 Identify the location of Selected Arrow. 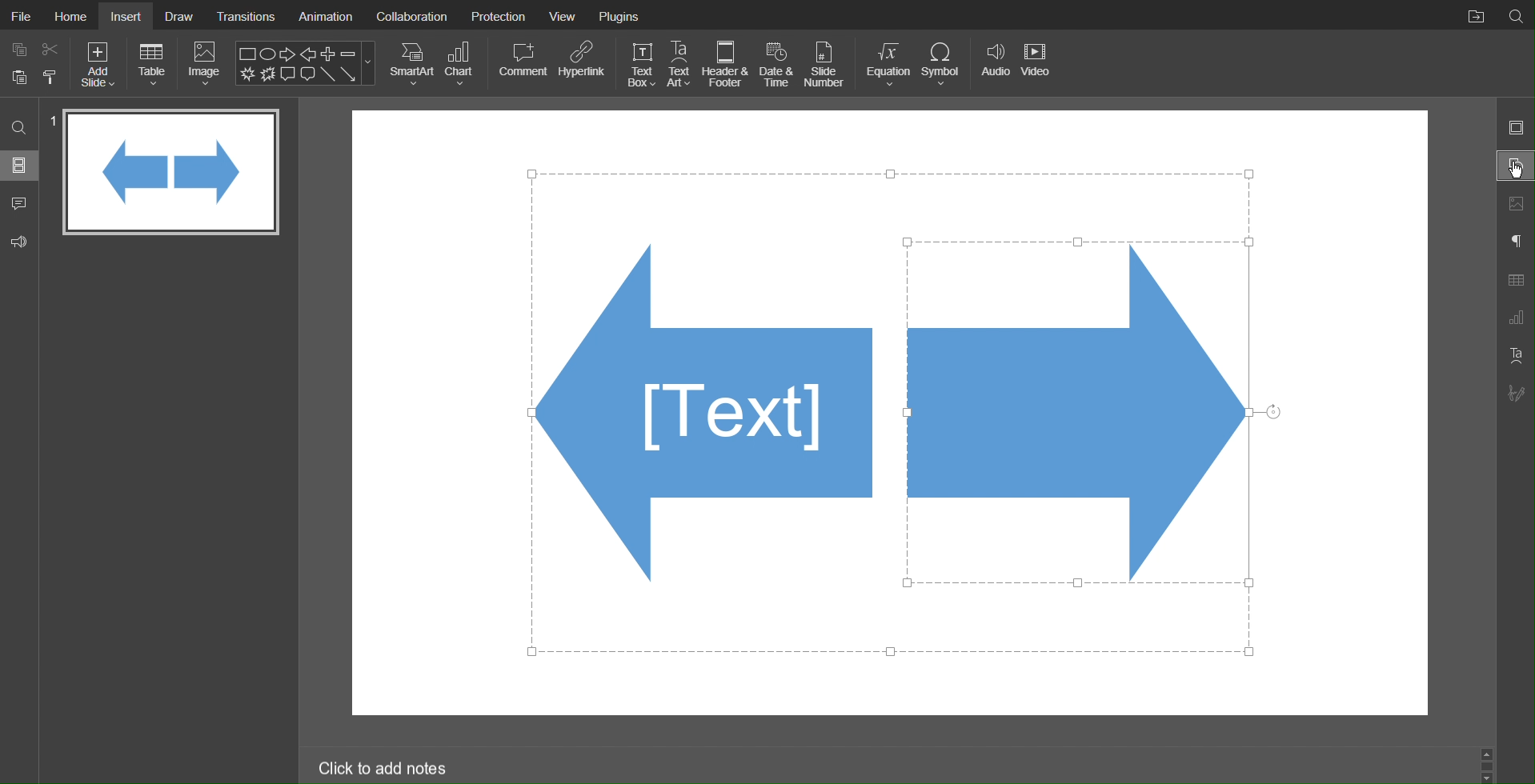
(1078, 415).